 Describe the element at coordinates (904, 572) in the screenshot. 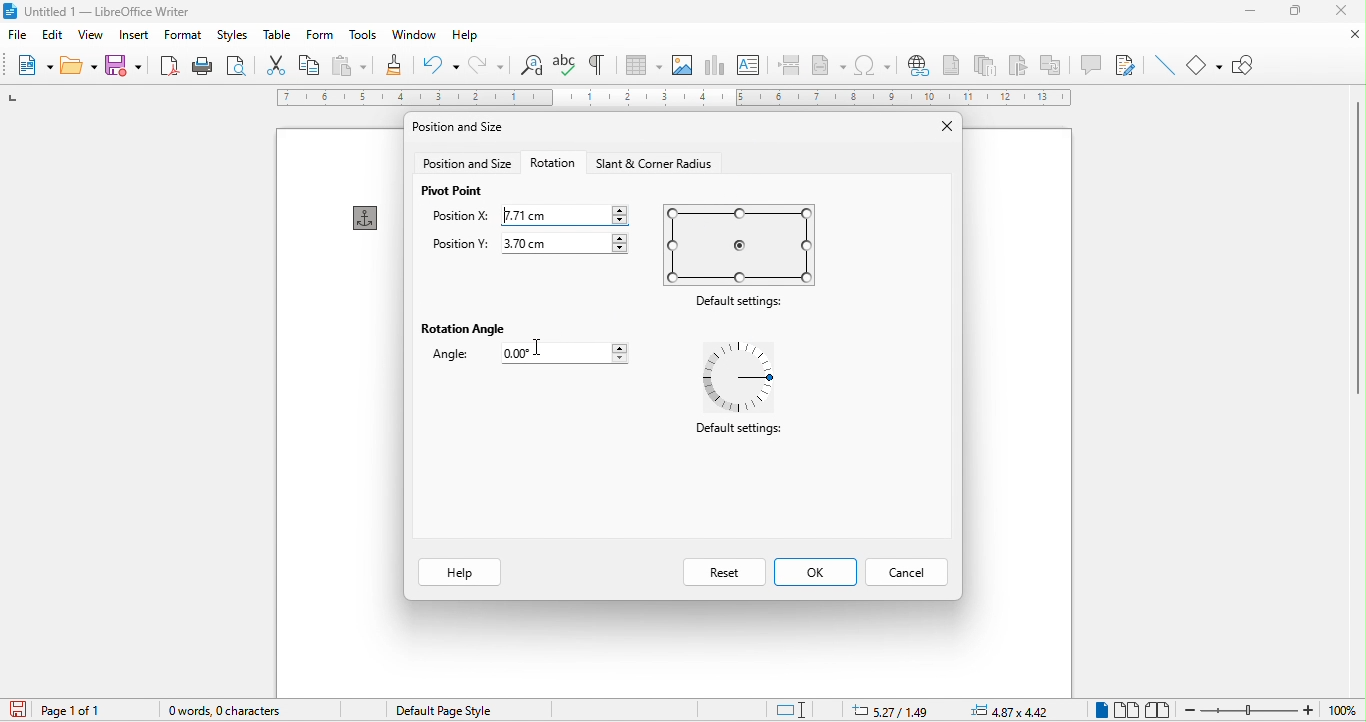

I see `cancel` at that location.